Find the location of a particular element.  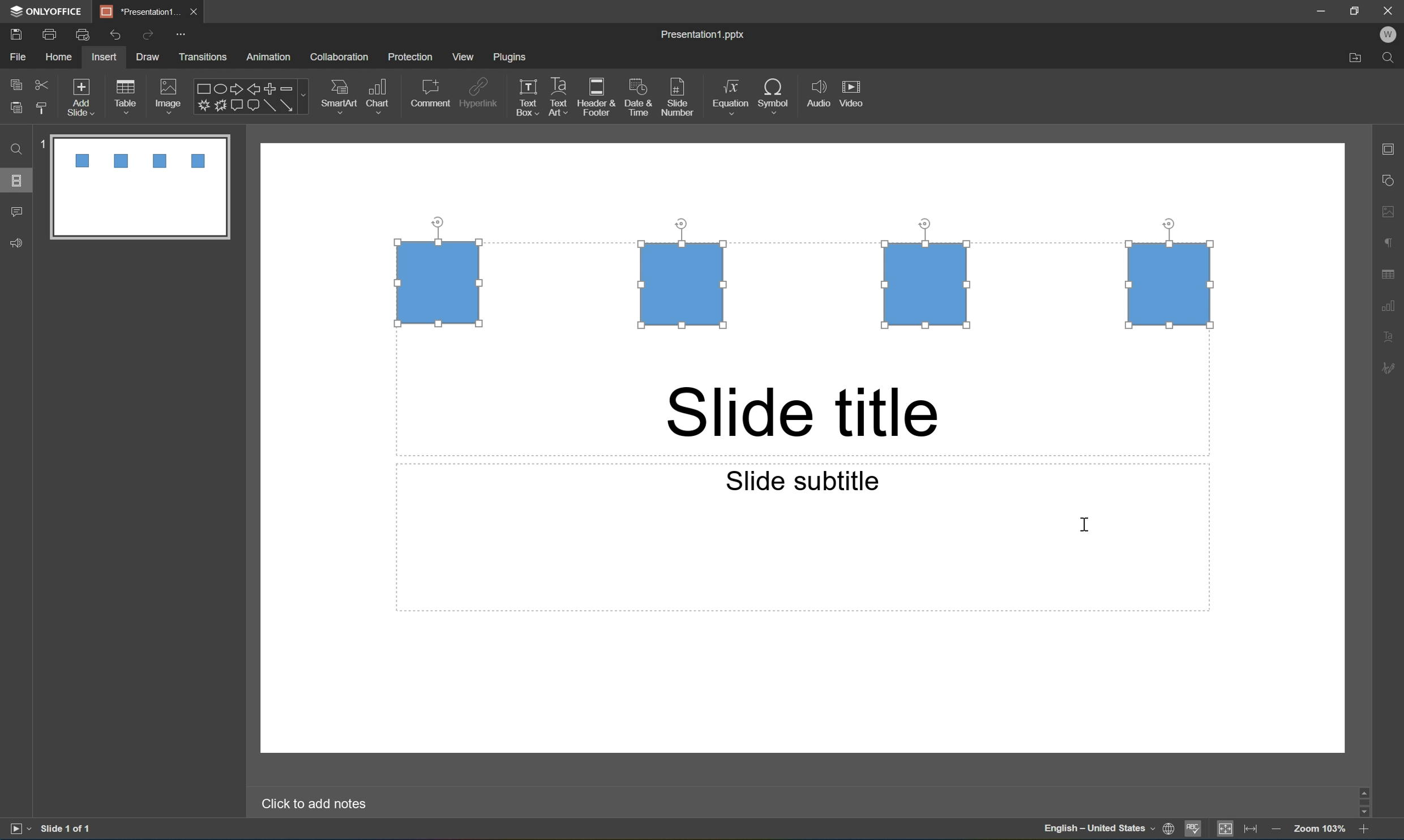

header & footer is located at coordinates (598, 98).